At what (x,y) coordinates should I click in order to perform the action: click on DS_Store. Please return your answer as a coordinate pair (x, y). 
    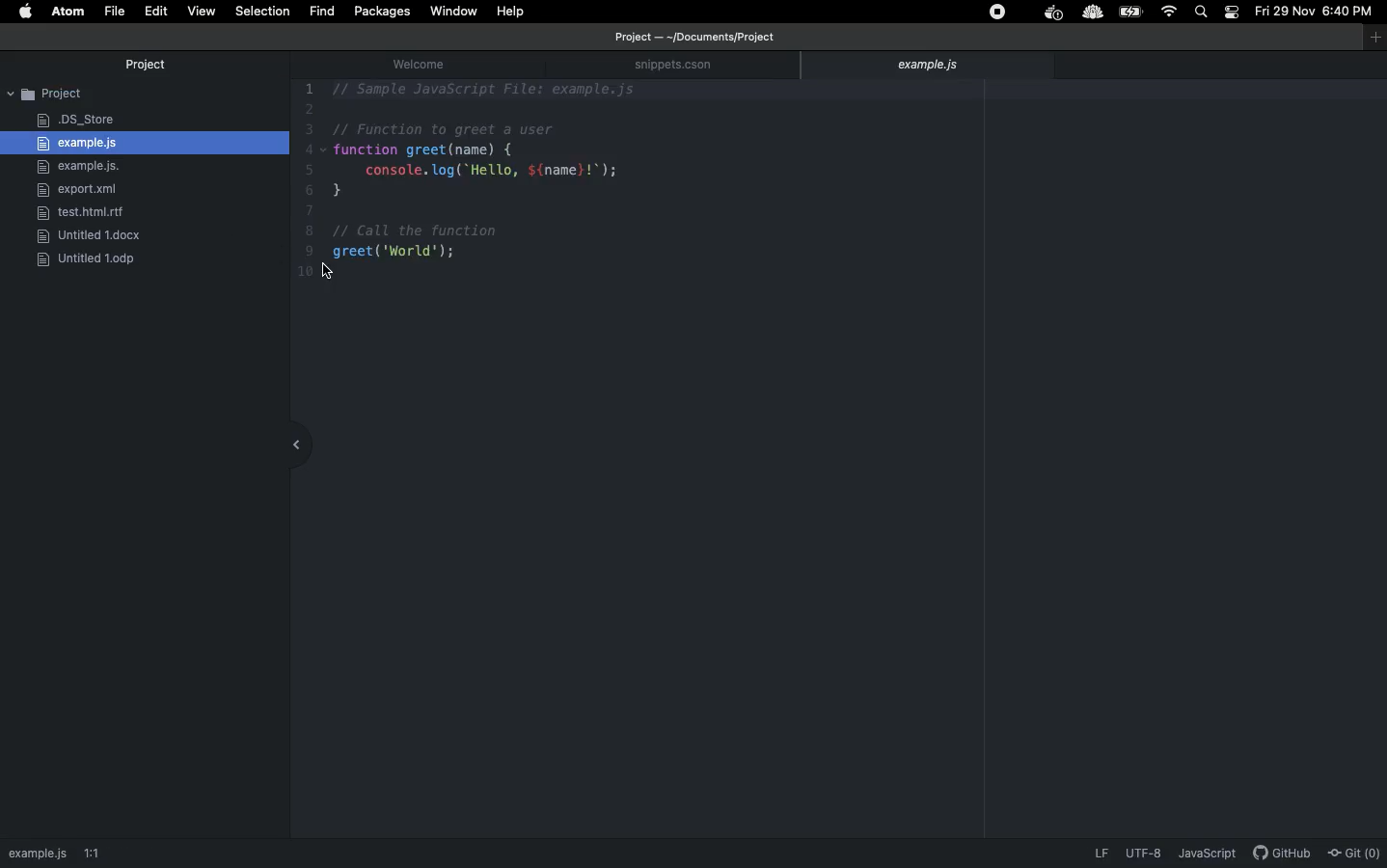
    Looking at the image, I should click on (76, 122).